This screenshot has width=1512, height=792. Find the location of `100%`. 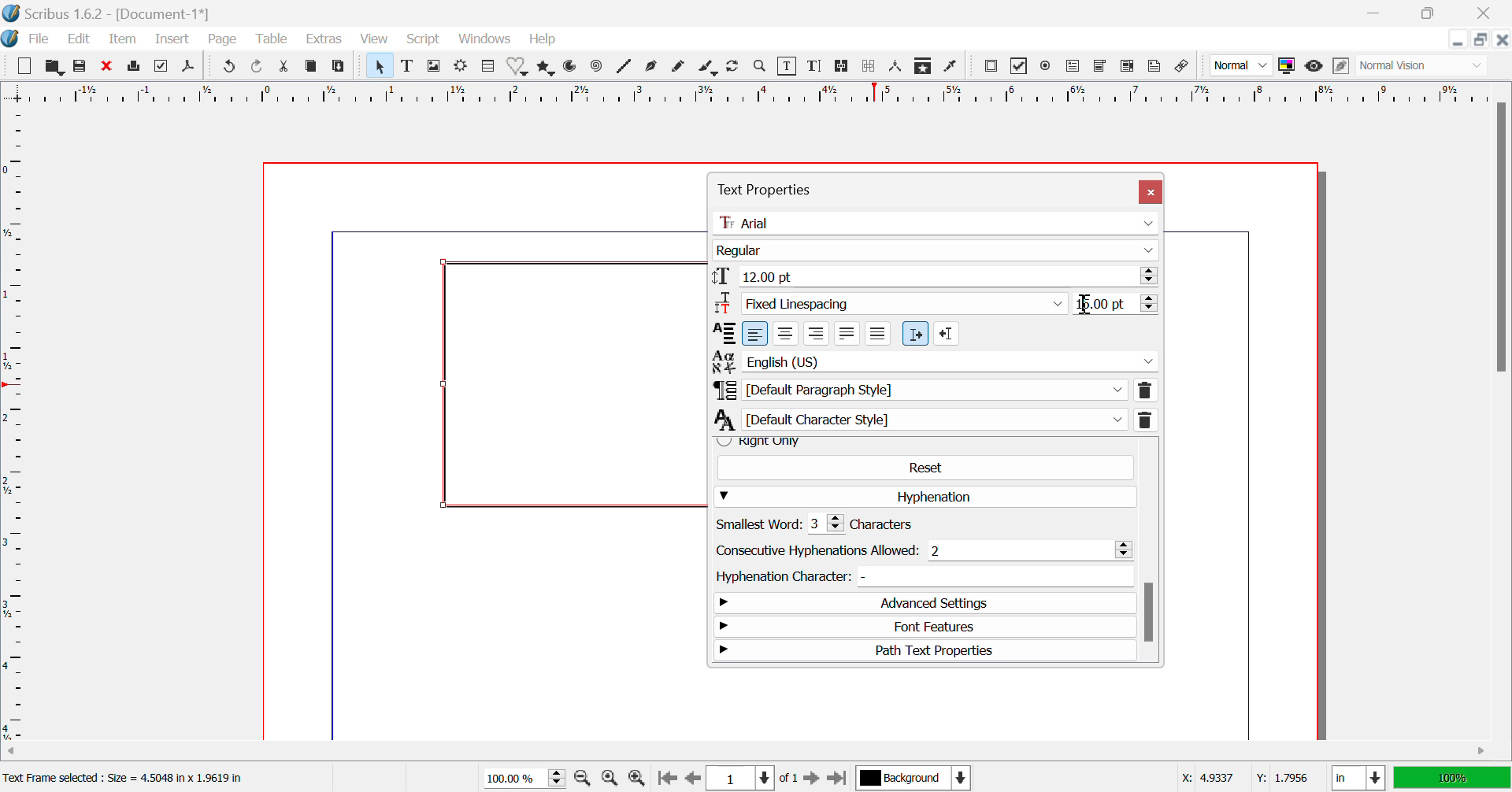

100% is located at coordinates (1451, 778).